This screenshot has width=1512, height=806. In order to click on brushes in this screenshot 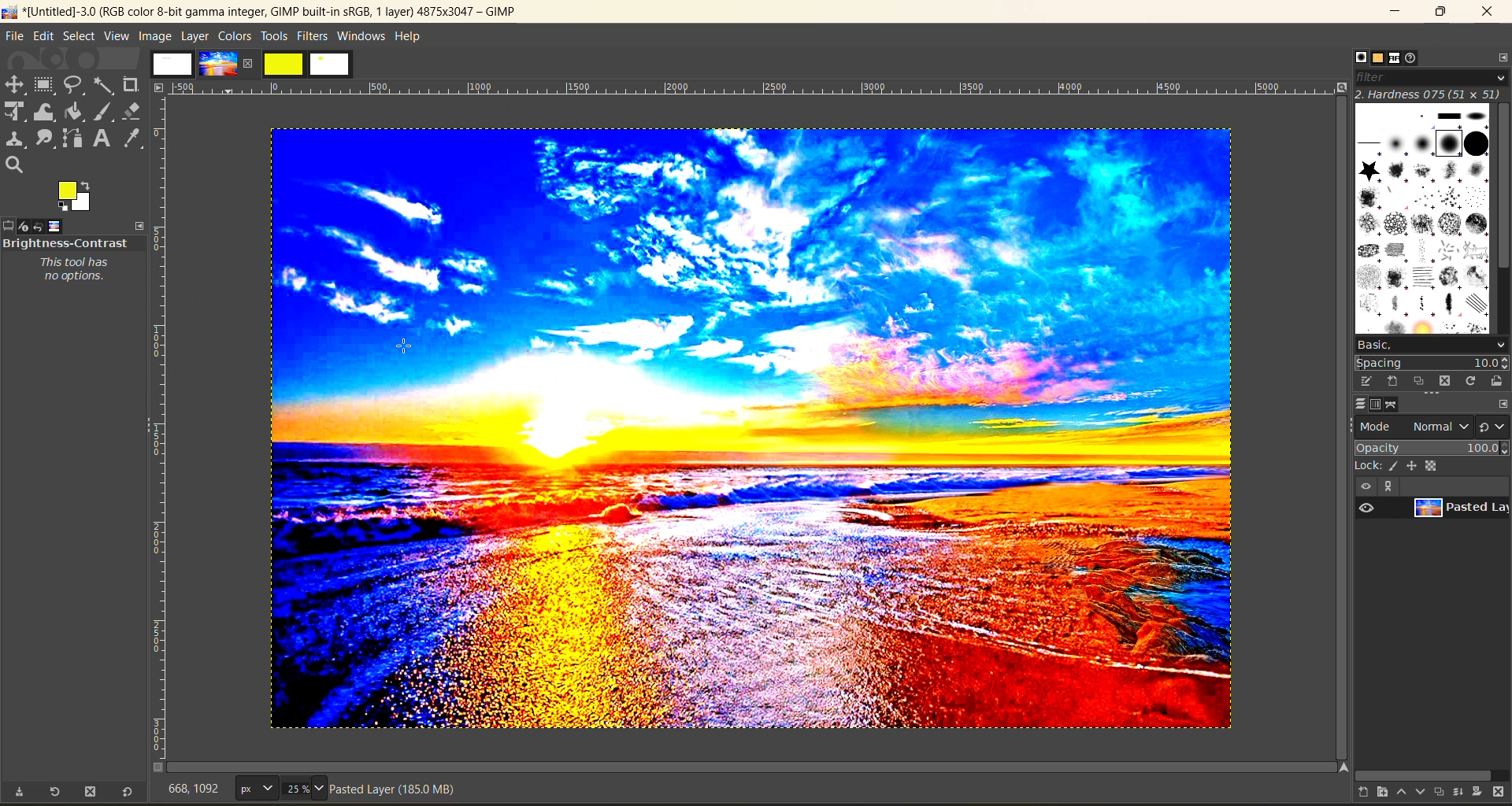, I will do `click(1423, 219)`.